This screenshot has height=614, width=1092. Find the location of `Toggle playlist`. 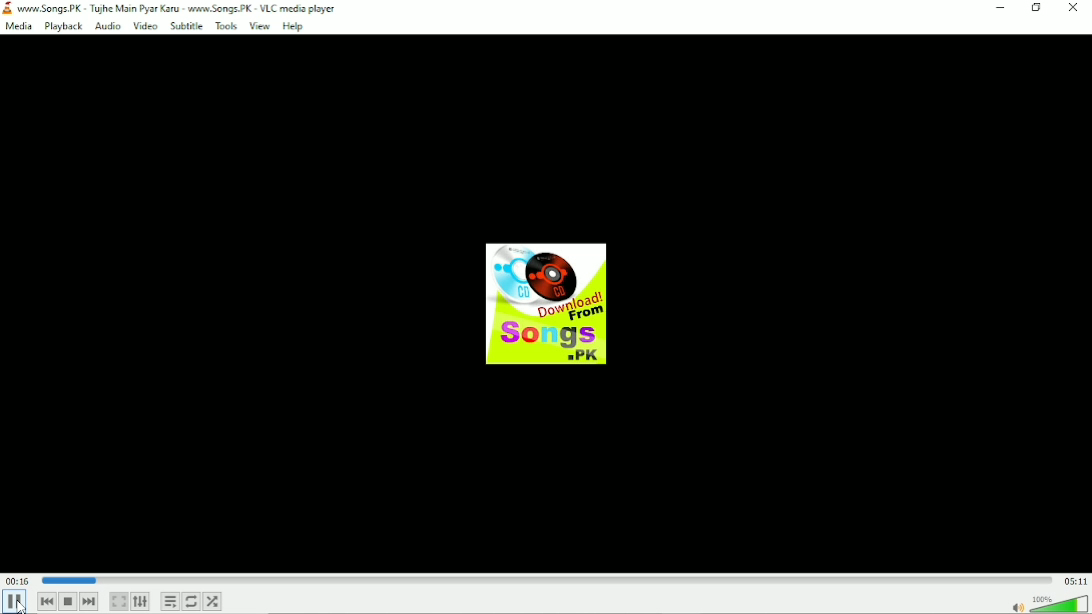

Toggle playlist is located at coordinates (169, 602).